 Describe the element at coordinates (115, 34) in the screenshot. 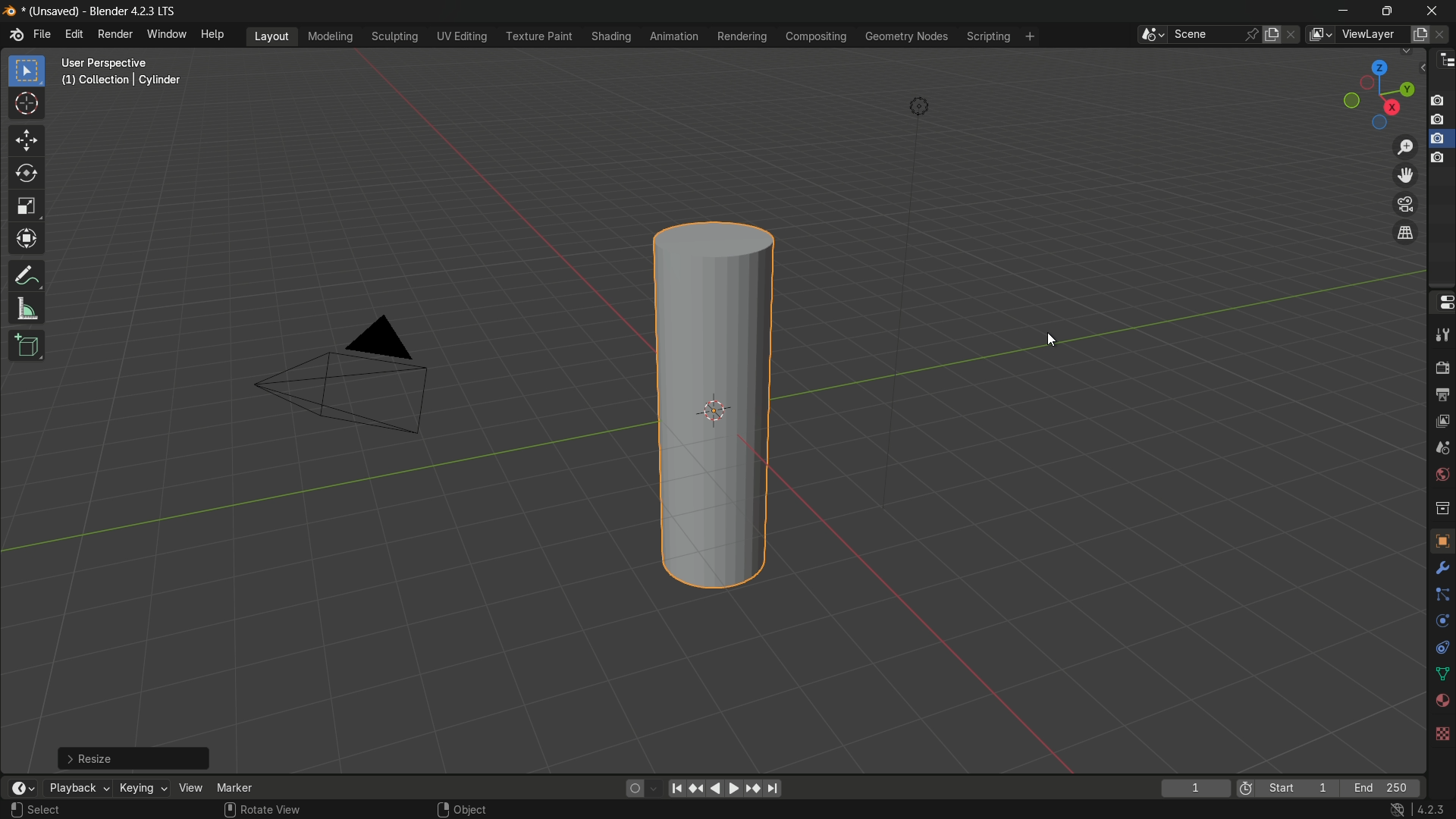

I see `render menu` at that location.